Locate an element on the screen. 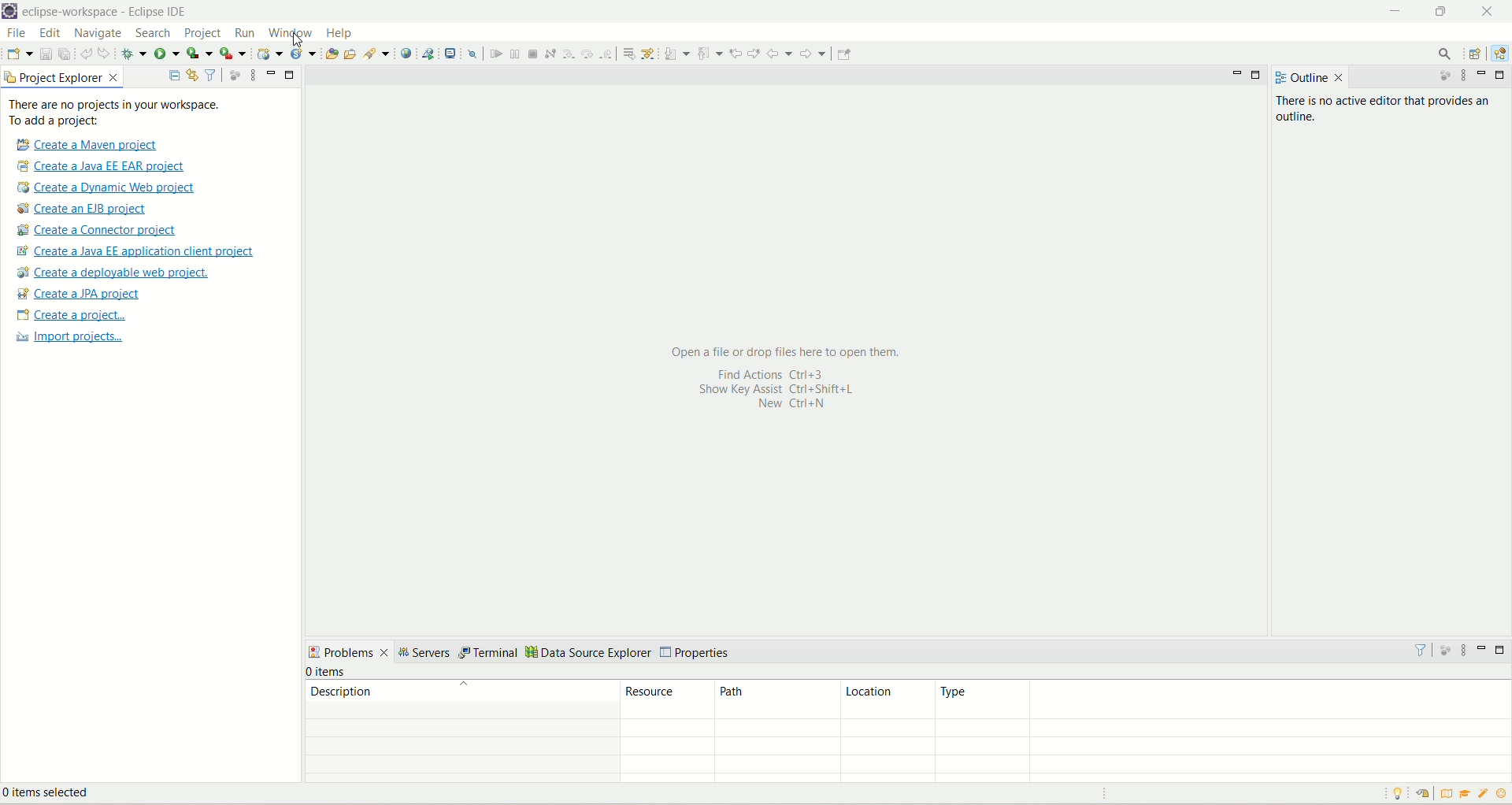 Image resolution: width=1512 pixels, height=805 pixels. search is located at coordinates (378, 54).